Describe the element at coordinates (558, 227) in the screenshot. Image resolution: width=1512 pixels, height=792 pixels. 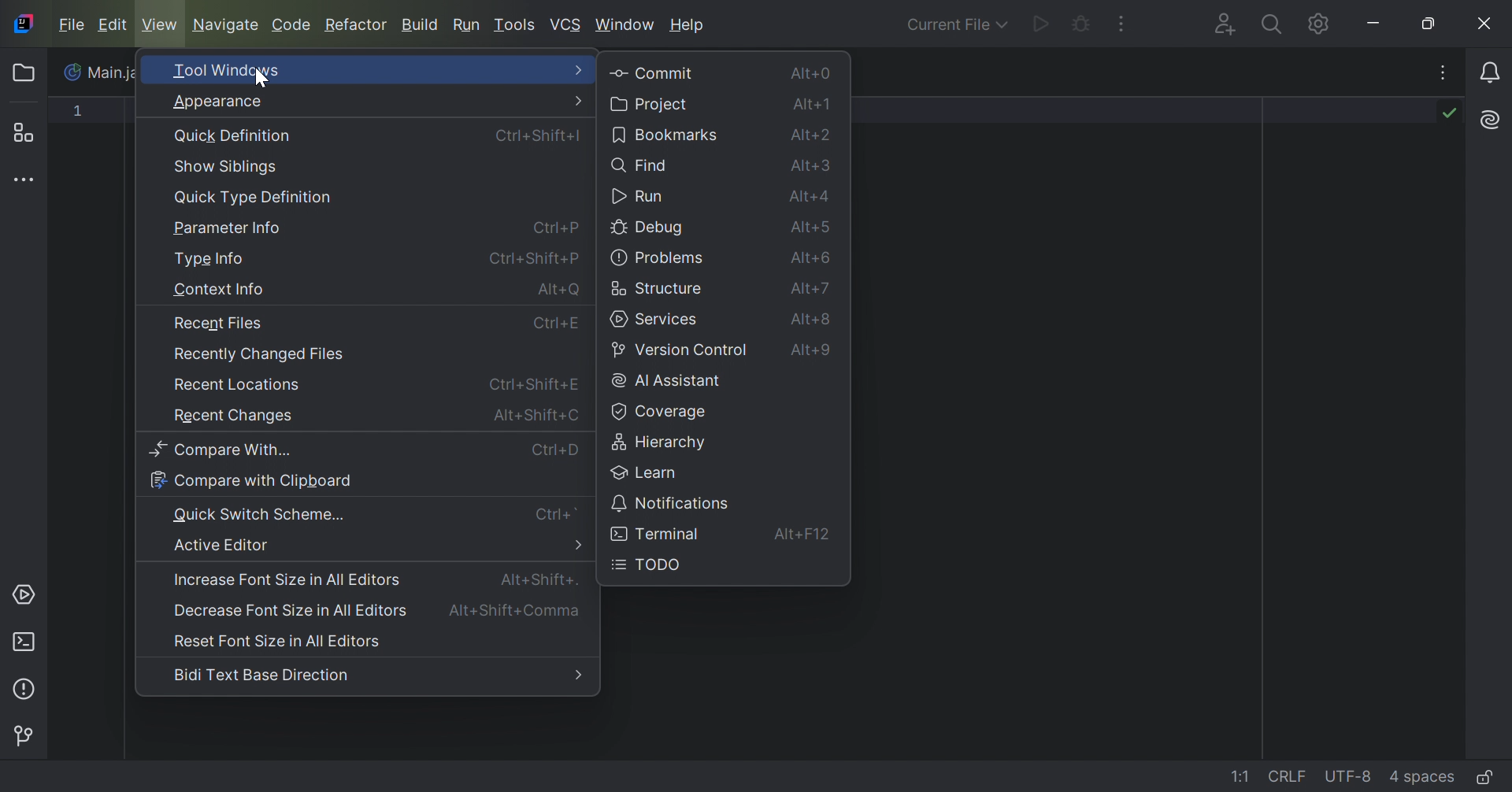
I see `Ctrl+P` at that location.